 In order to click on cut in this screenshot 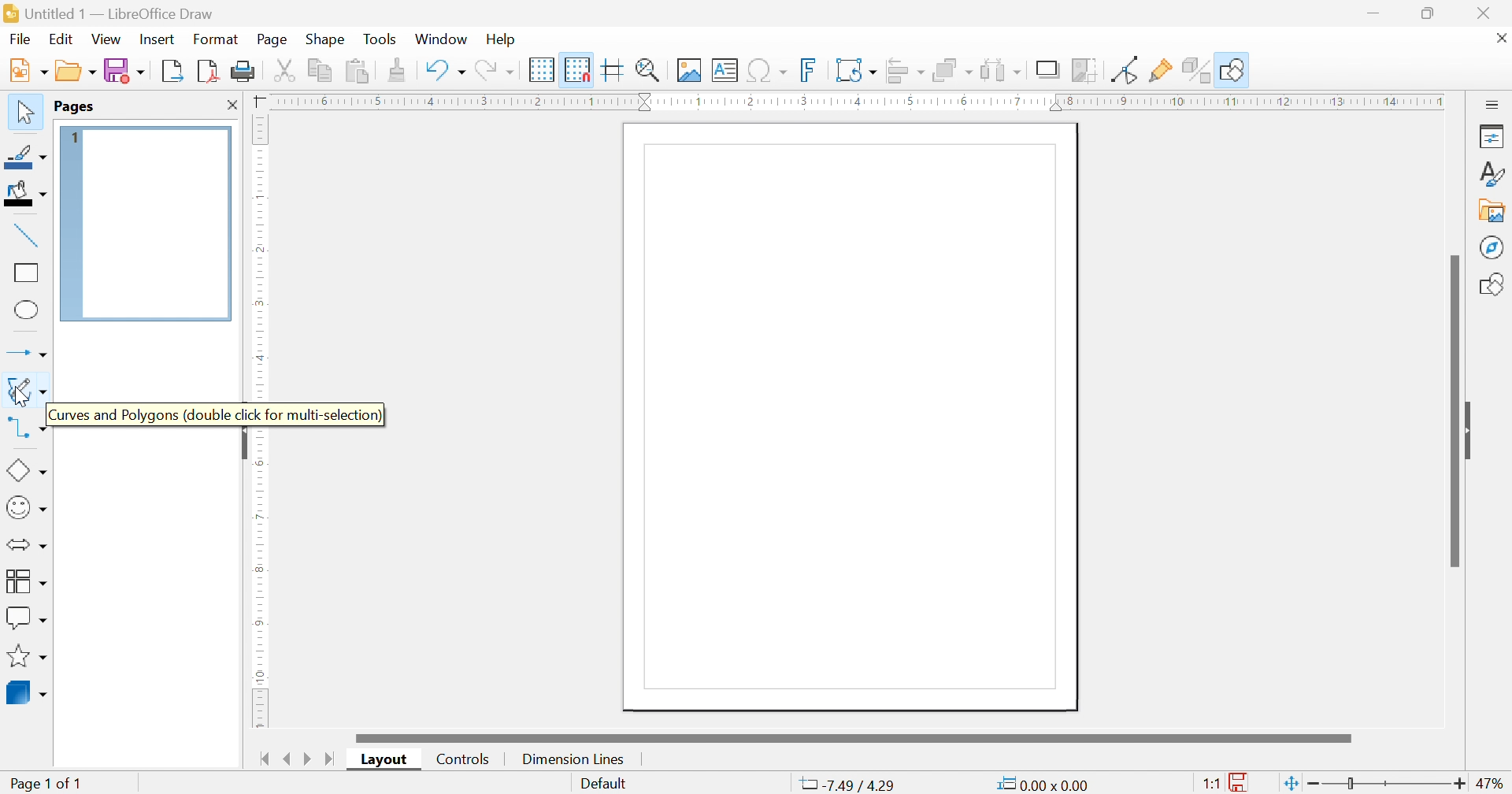, I will do `click(287, 70)`.